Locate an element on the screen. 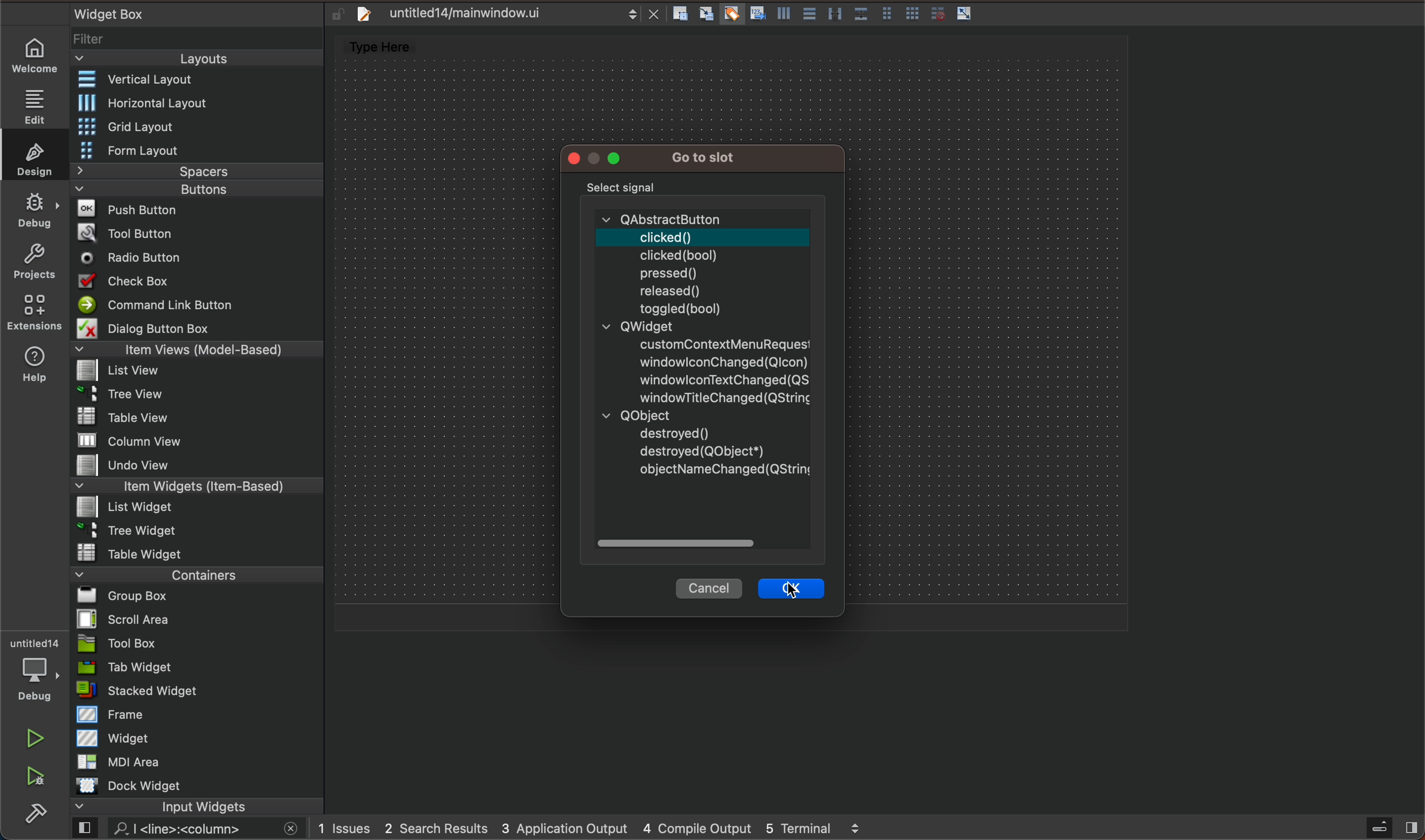 The width and height of the screenshot is (1425, 840). form layout is located at coordinates (197, 149).